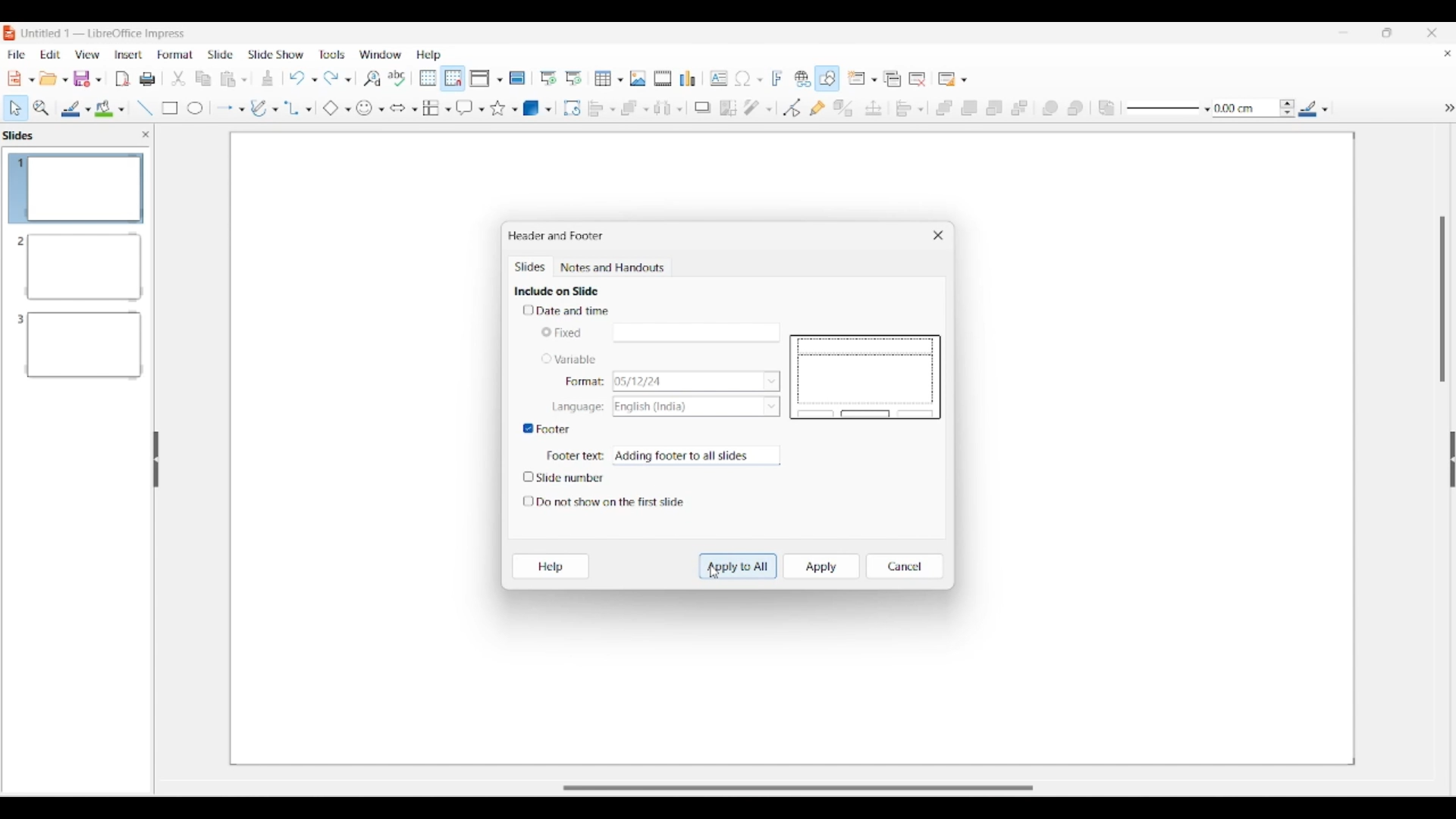 The width and height of the screenshot is (1456, 819). I want to click on Block arrow options, so click(404, 108).